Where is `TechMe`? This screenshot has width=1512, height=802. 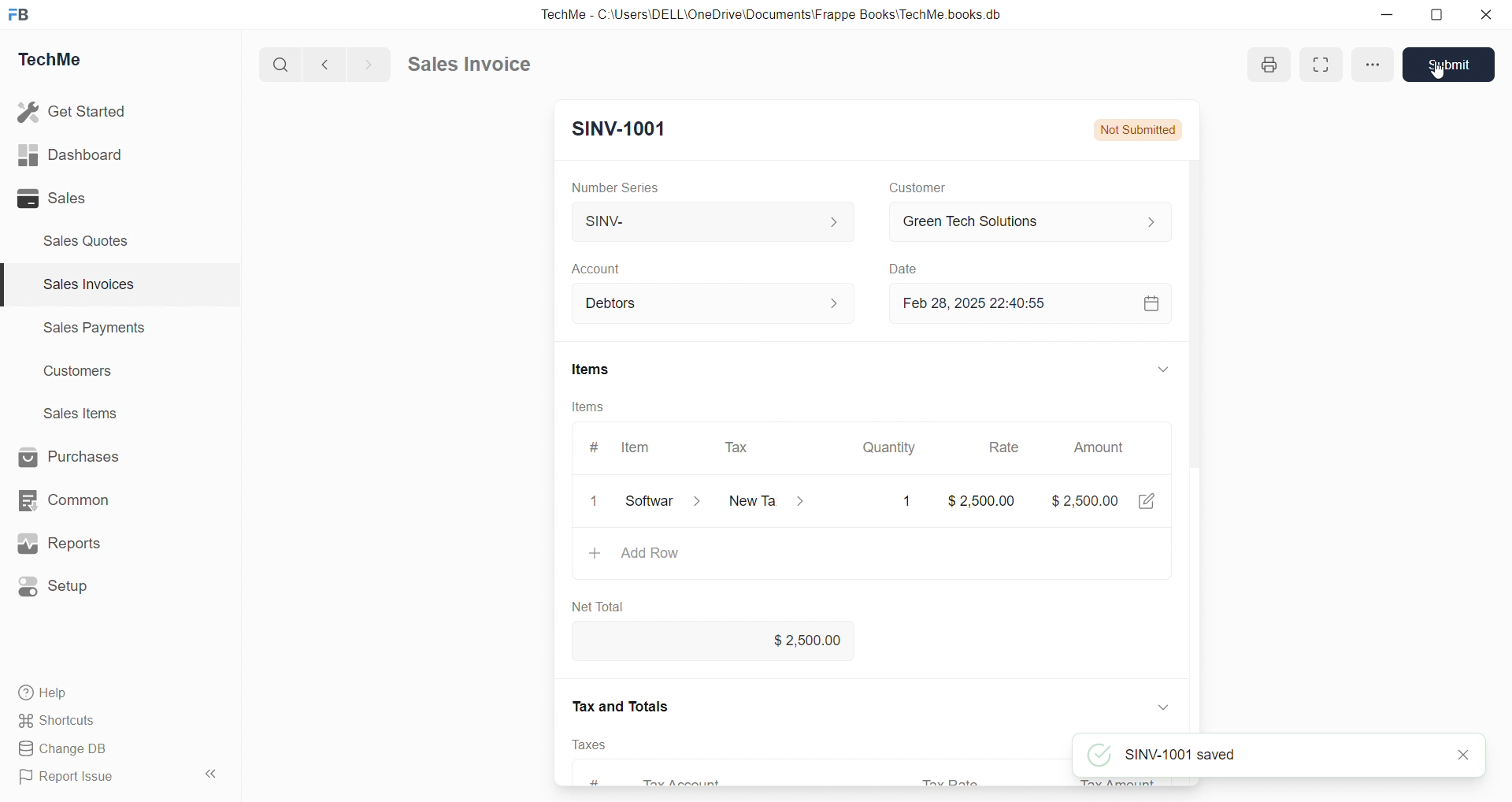
TechMe is located at coordinates (50, 60).